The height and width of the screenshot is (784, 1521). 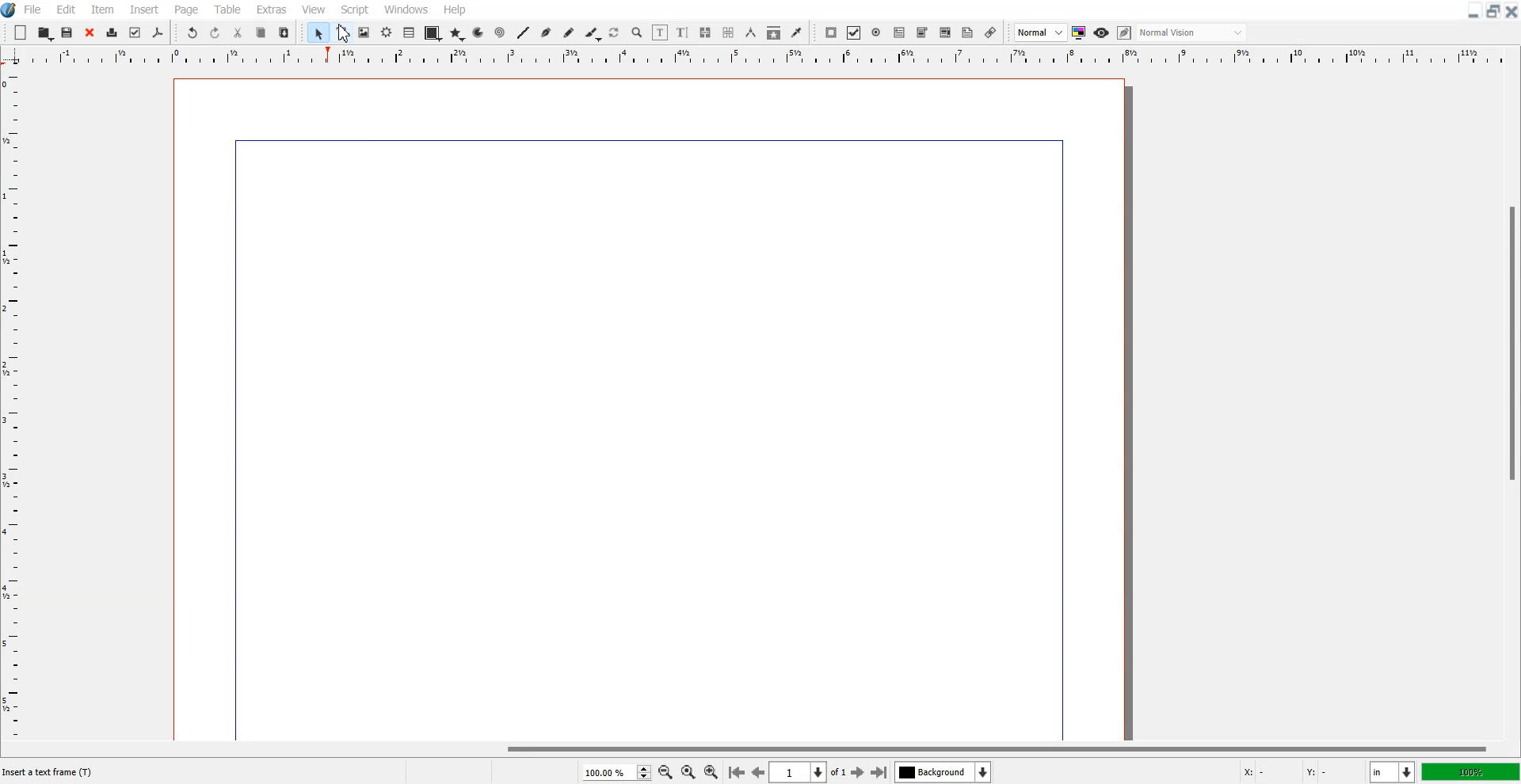 I want to click on Table, so click(x=228, y=9).